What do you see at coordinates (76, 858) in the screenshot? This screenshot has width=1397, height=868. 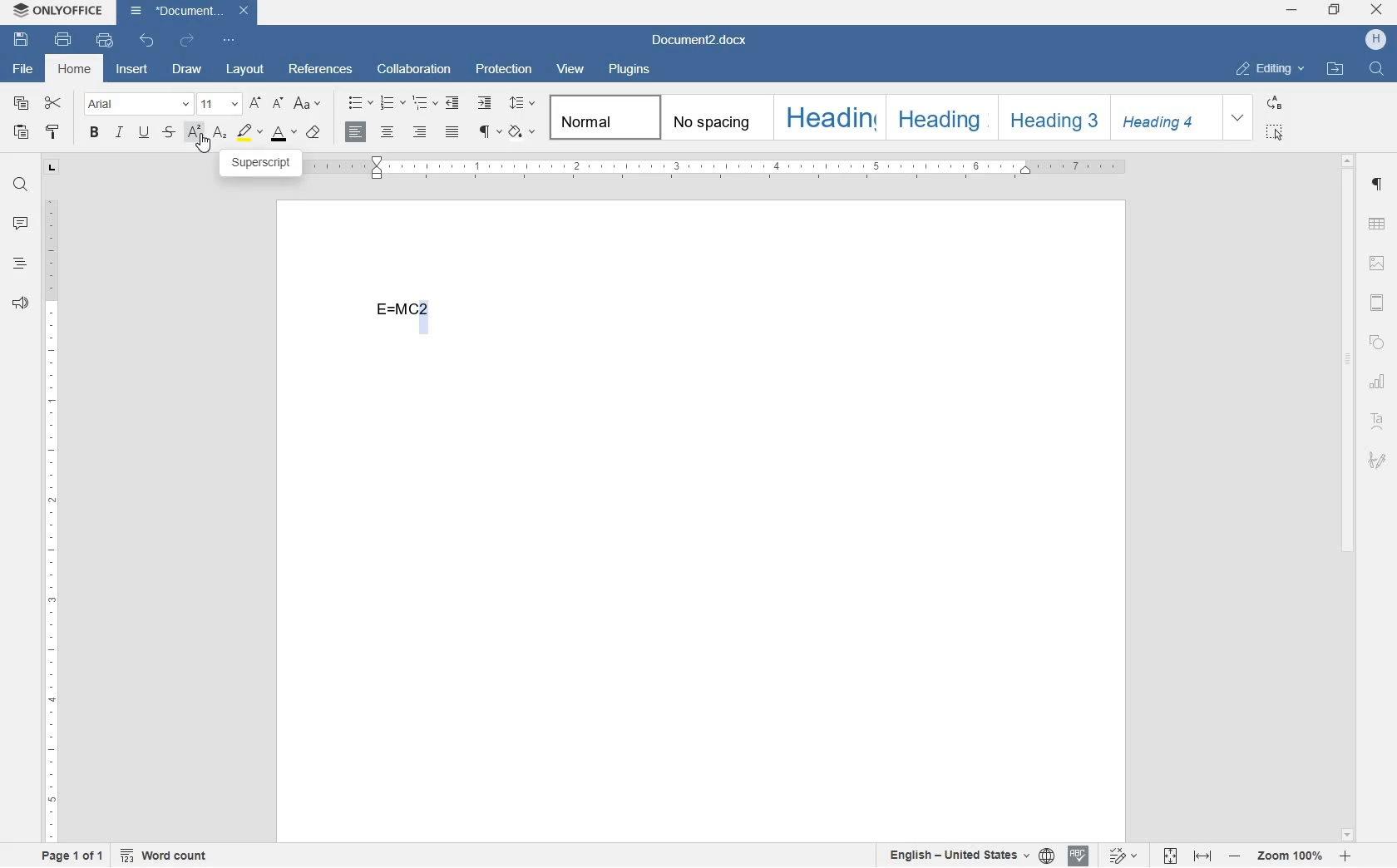 I see `page 1 of 1` at bounding box center [76, 858].